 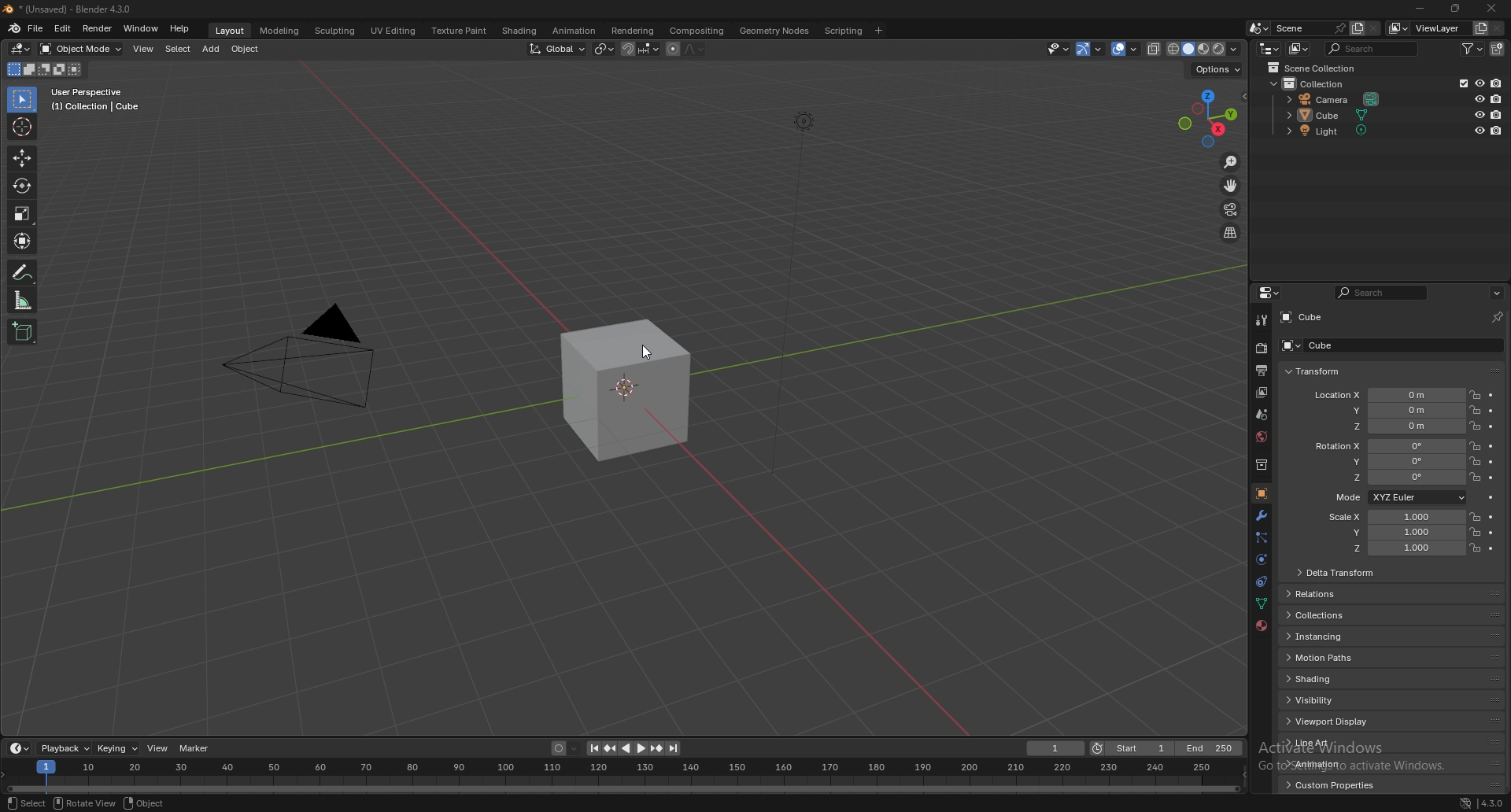 What do you see at coordinates (1321, 84) in the screenshot?
I see `collection` at bounding box center [1321, 84].